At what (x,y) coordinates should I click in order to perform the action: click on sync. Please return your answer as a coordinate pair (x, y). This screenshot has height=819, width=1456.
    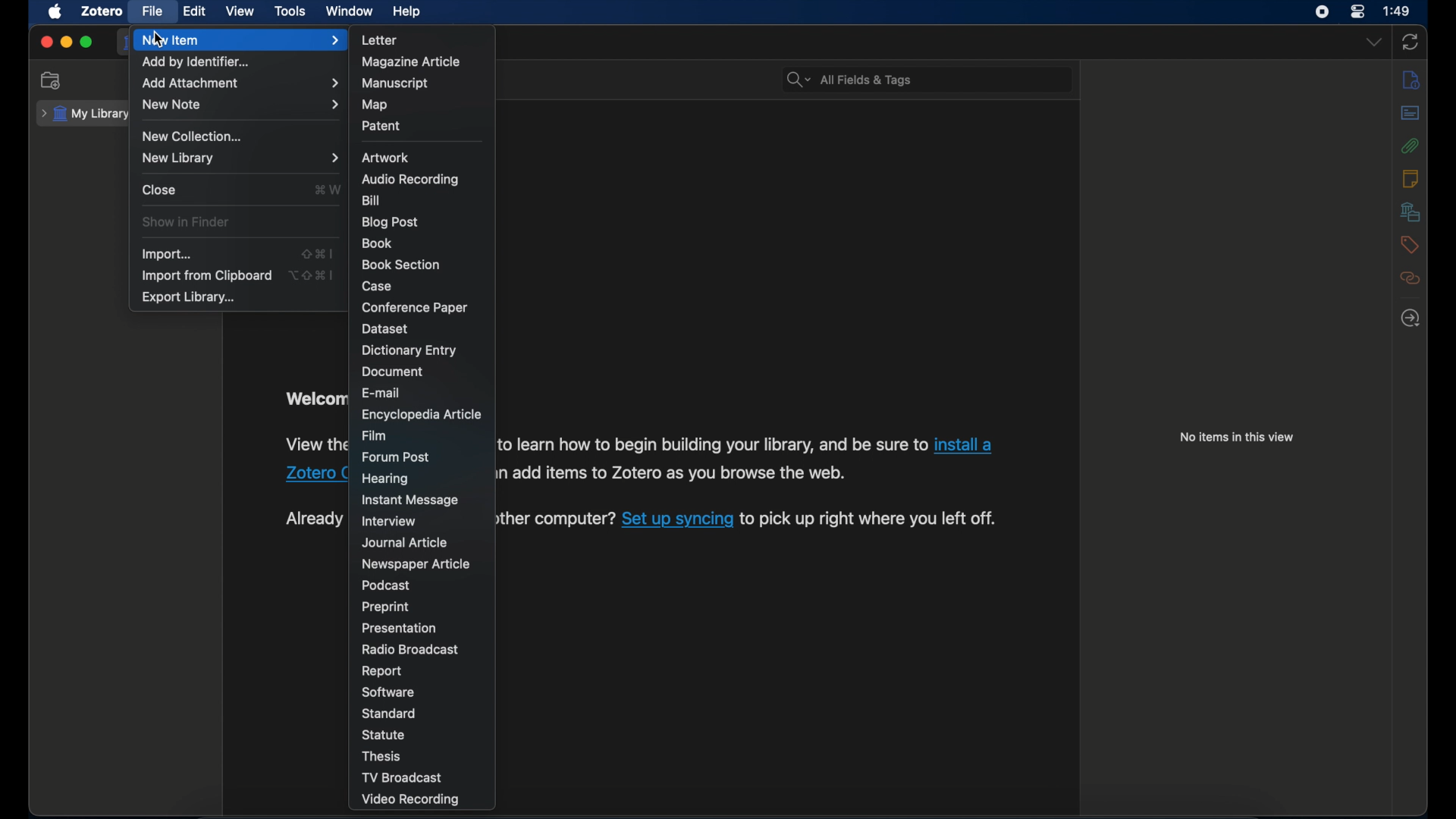
    Looking at the image, I should click on (1410, 42).